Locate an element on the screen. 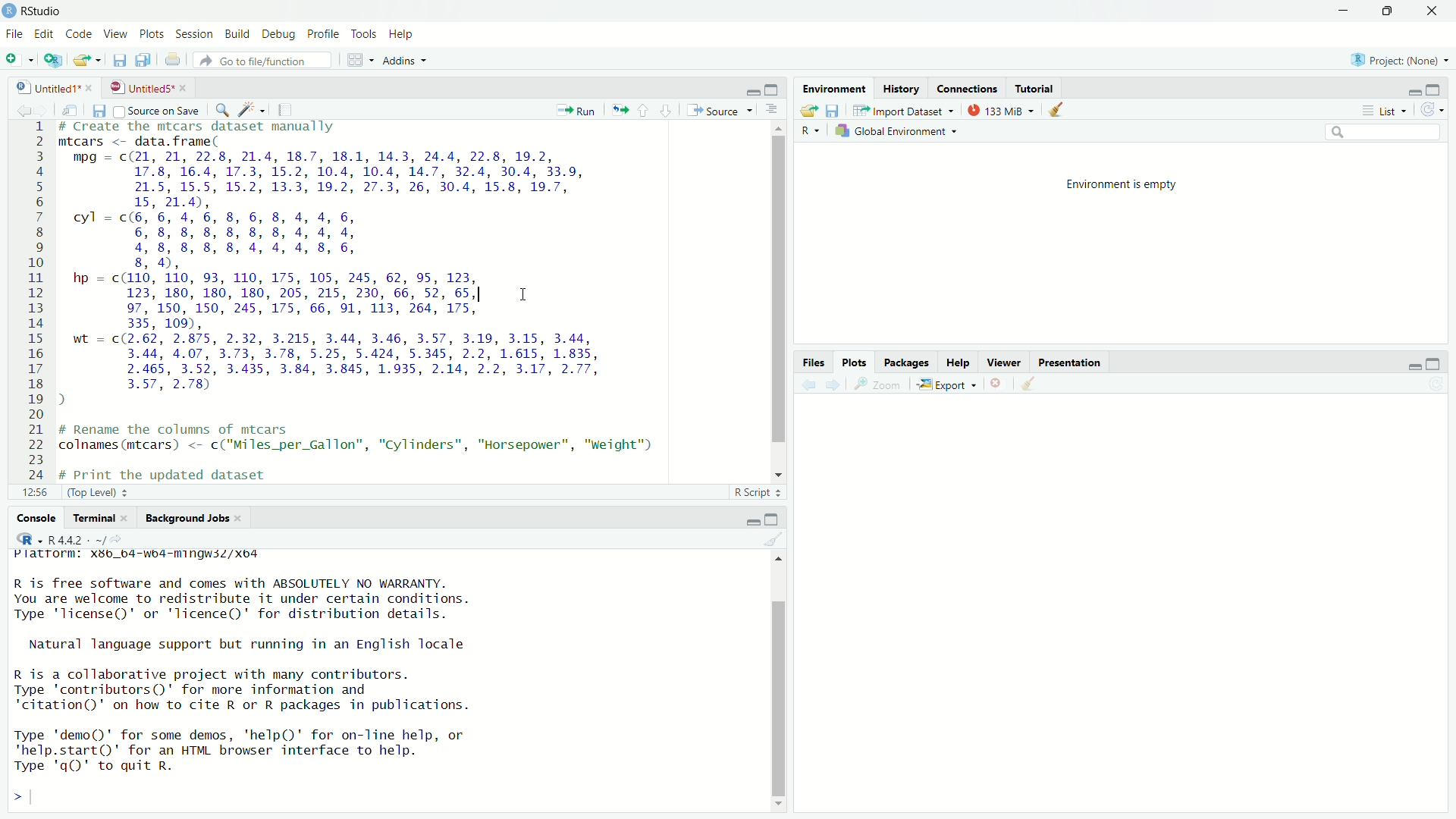  Profile is located at coordinates (326, 35).